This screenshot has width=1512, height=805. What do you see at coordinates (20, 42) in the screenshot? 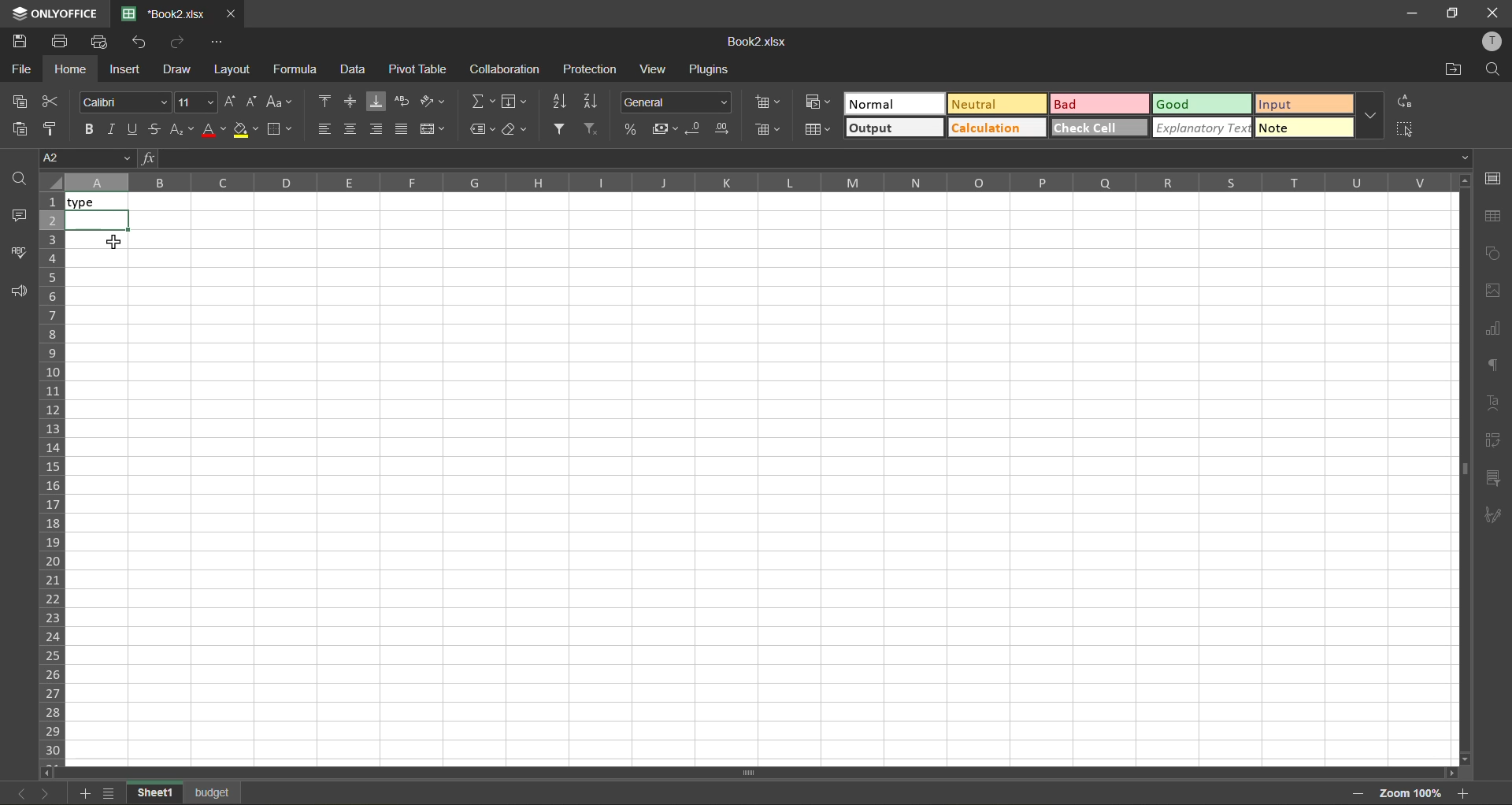
I see `save` at bounding box center [20, 42].